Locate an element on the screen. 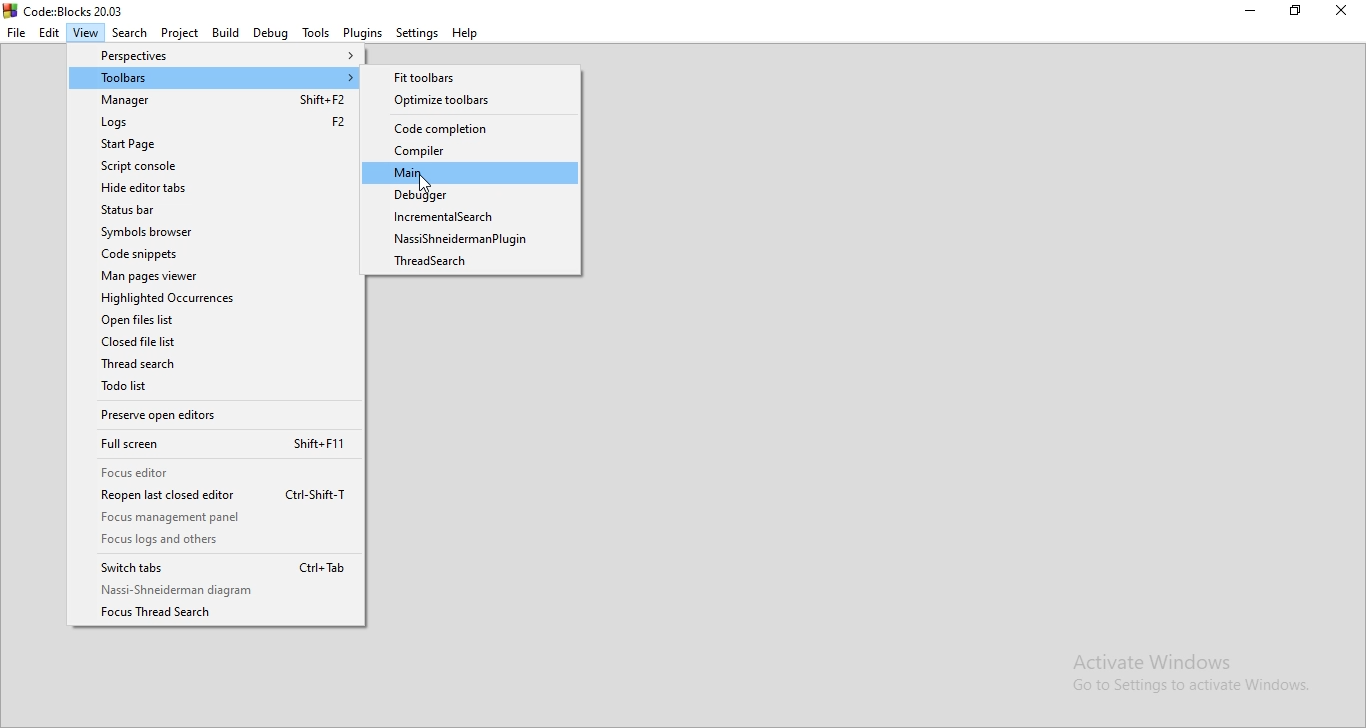 The width and height of the screenshot is (1366, 728). Manager is located at coordinates (215, 101).